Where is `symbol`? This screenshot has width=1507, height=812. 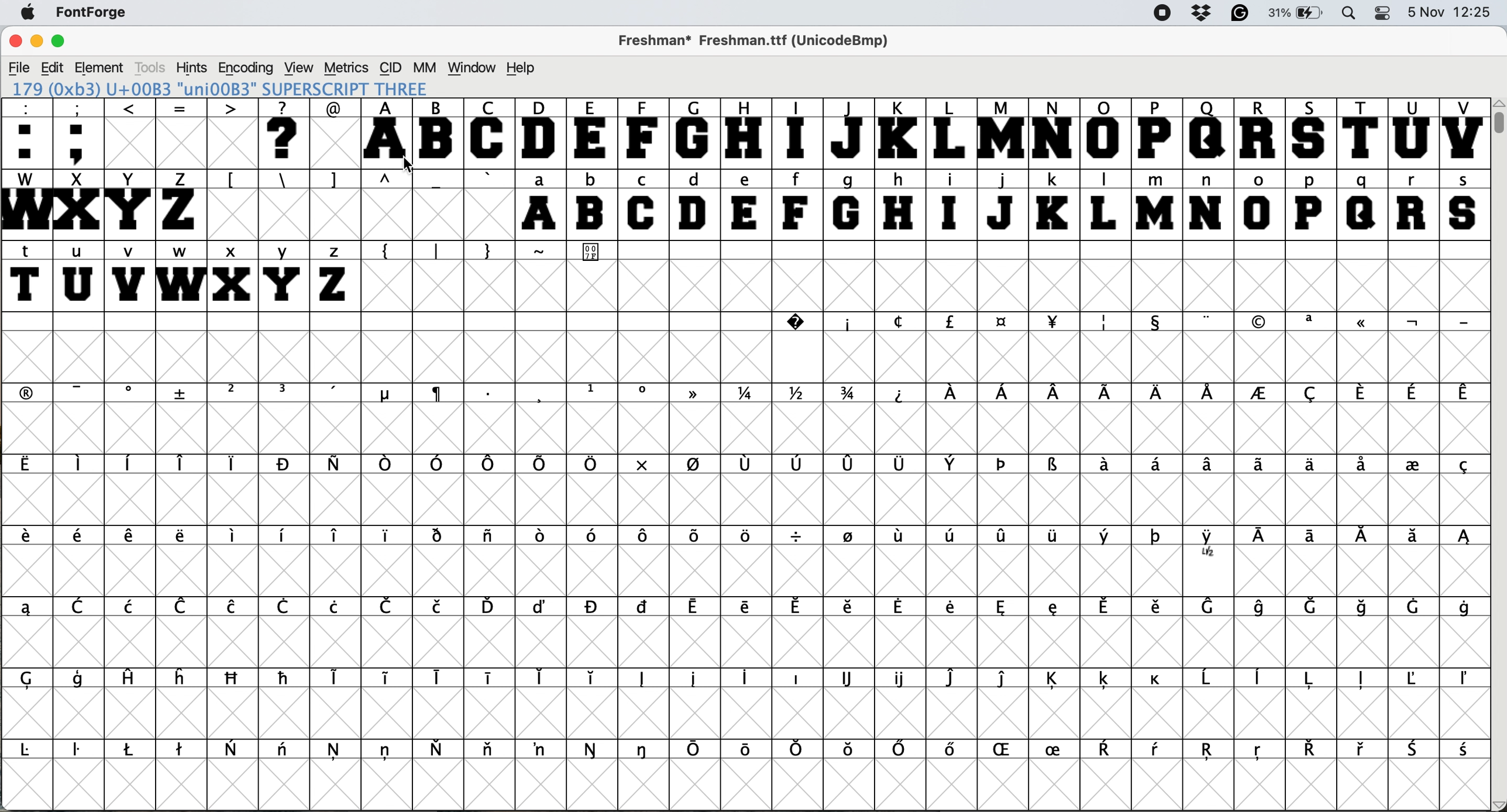
symbol is located at coordinates (27, 539).